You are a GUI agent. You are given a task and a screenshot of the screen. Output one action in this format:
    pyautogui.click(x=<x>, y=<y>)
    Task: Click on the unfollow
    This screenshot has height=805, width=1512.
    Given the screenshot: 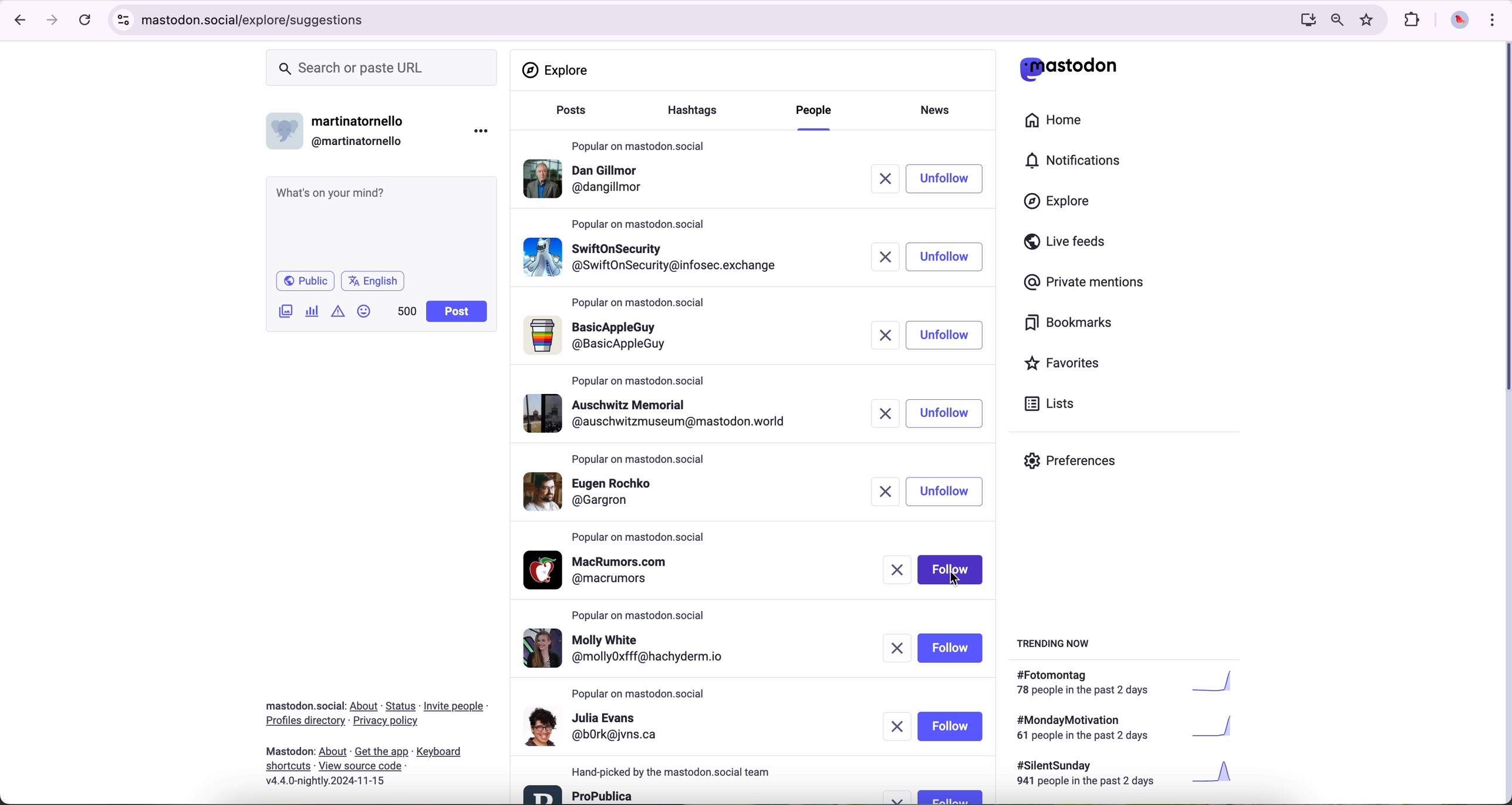 What is the action you would take?
    pyautogui.click(x=947, y=492)
    